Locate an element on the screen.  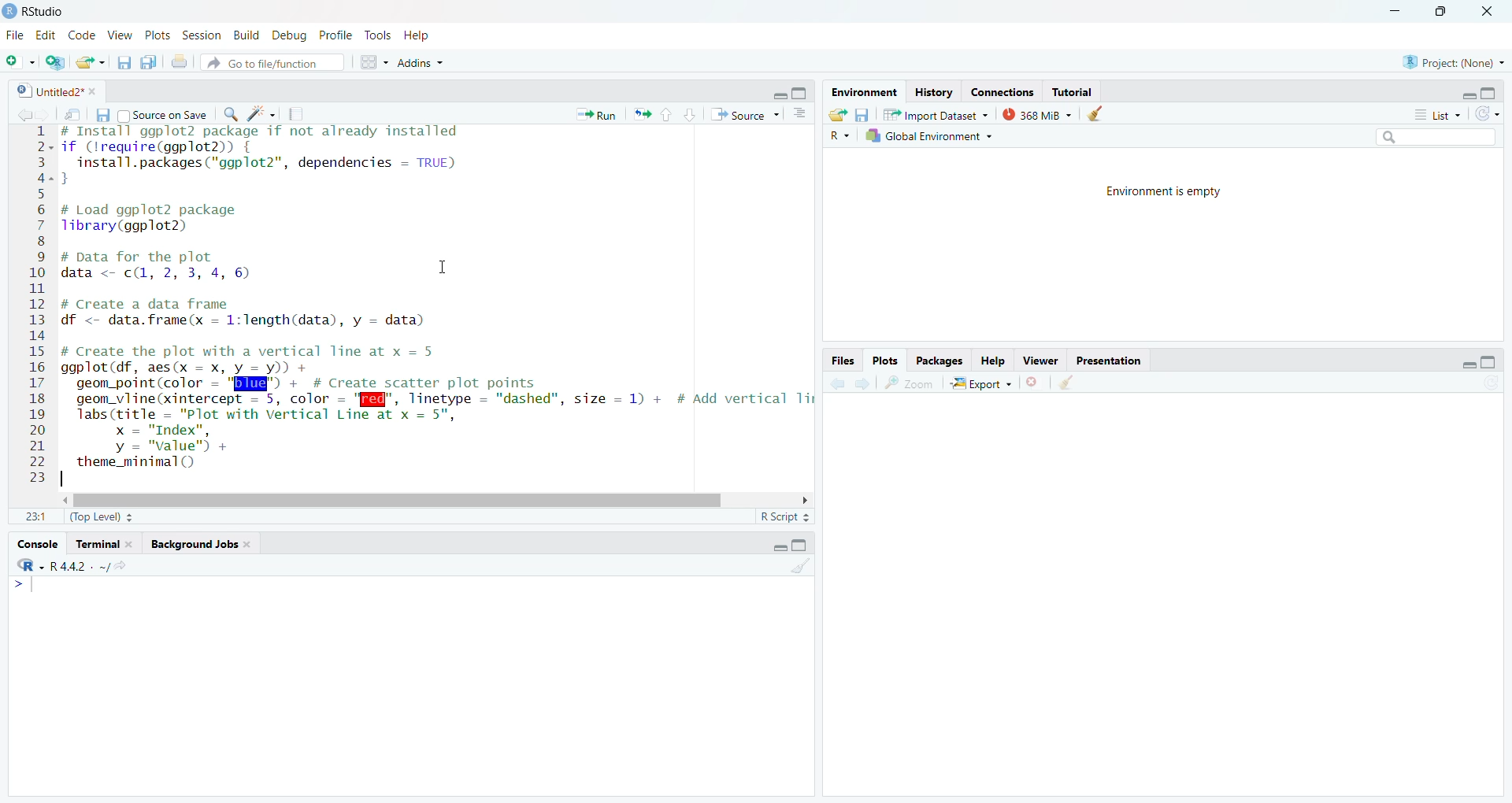
add is located at coordinates (20, 62).